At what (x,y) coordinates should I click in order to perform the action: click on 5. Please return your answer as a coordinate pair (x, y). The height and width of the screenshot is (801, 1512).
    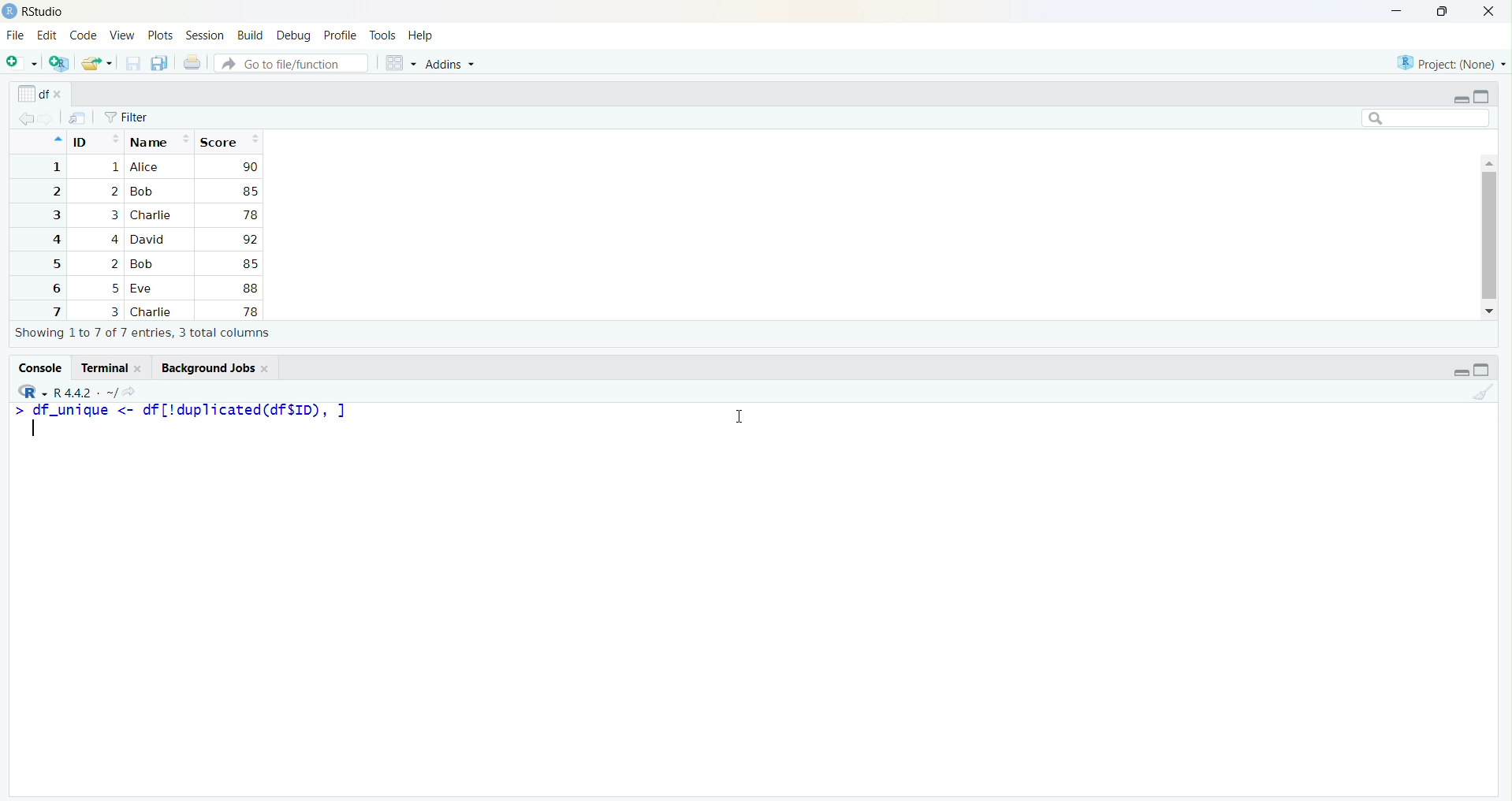
    Looking at the image, I should click on (54, 264).